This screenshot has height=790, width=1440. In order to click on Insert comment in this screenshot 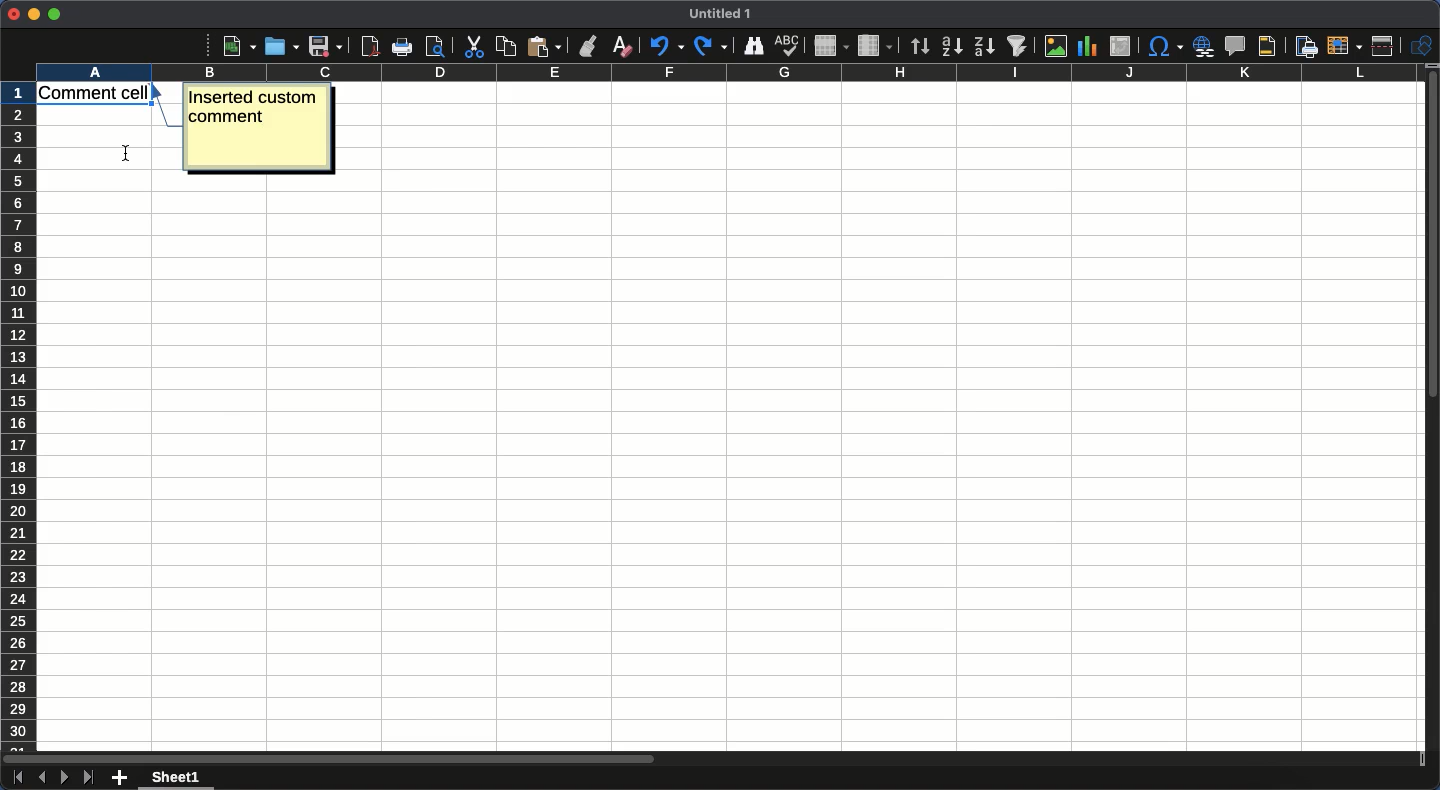, I will do `click(1234, 44)`.